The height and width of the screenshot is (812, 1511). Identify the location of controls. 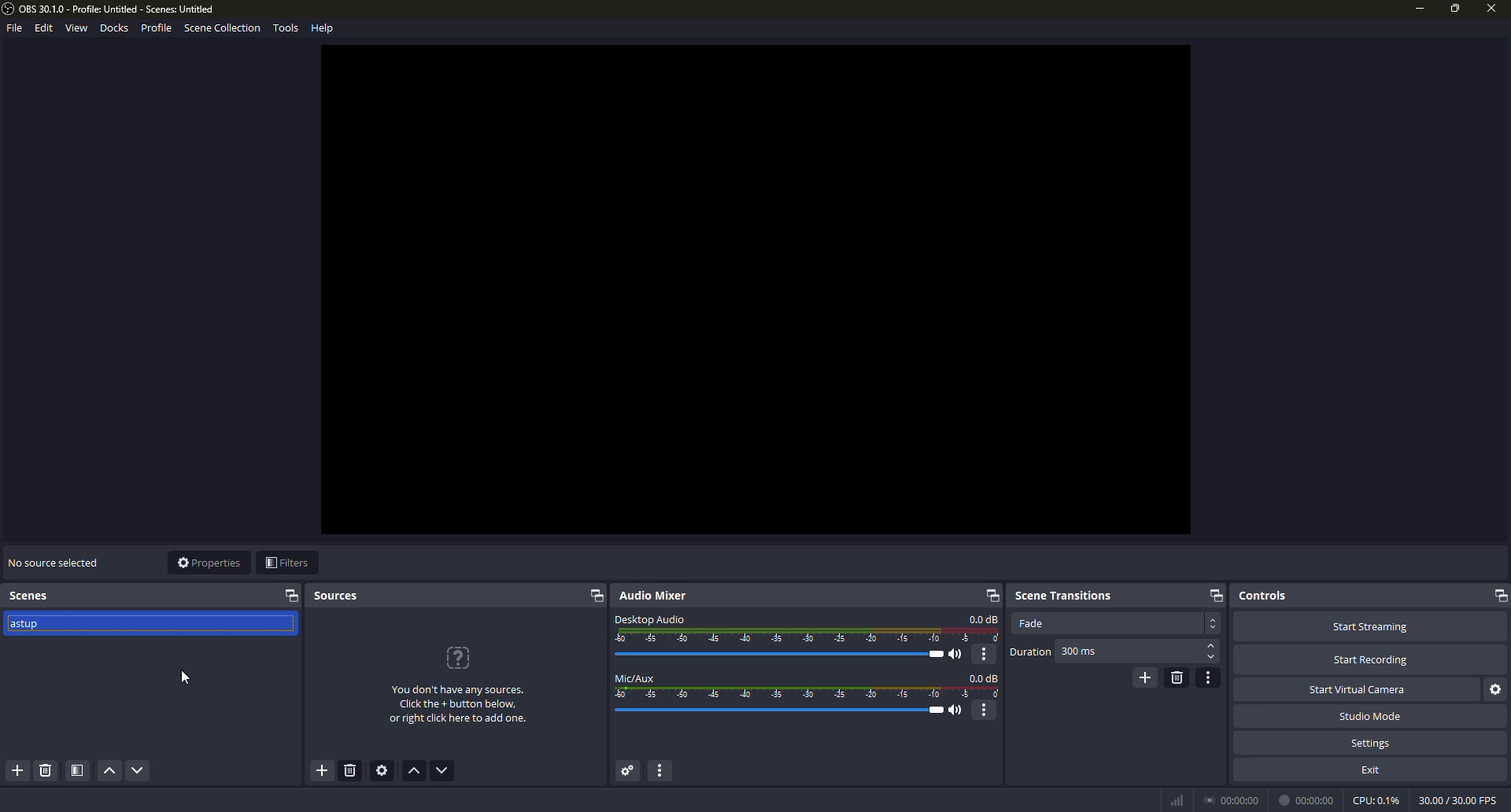
(1263, 595).